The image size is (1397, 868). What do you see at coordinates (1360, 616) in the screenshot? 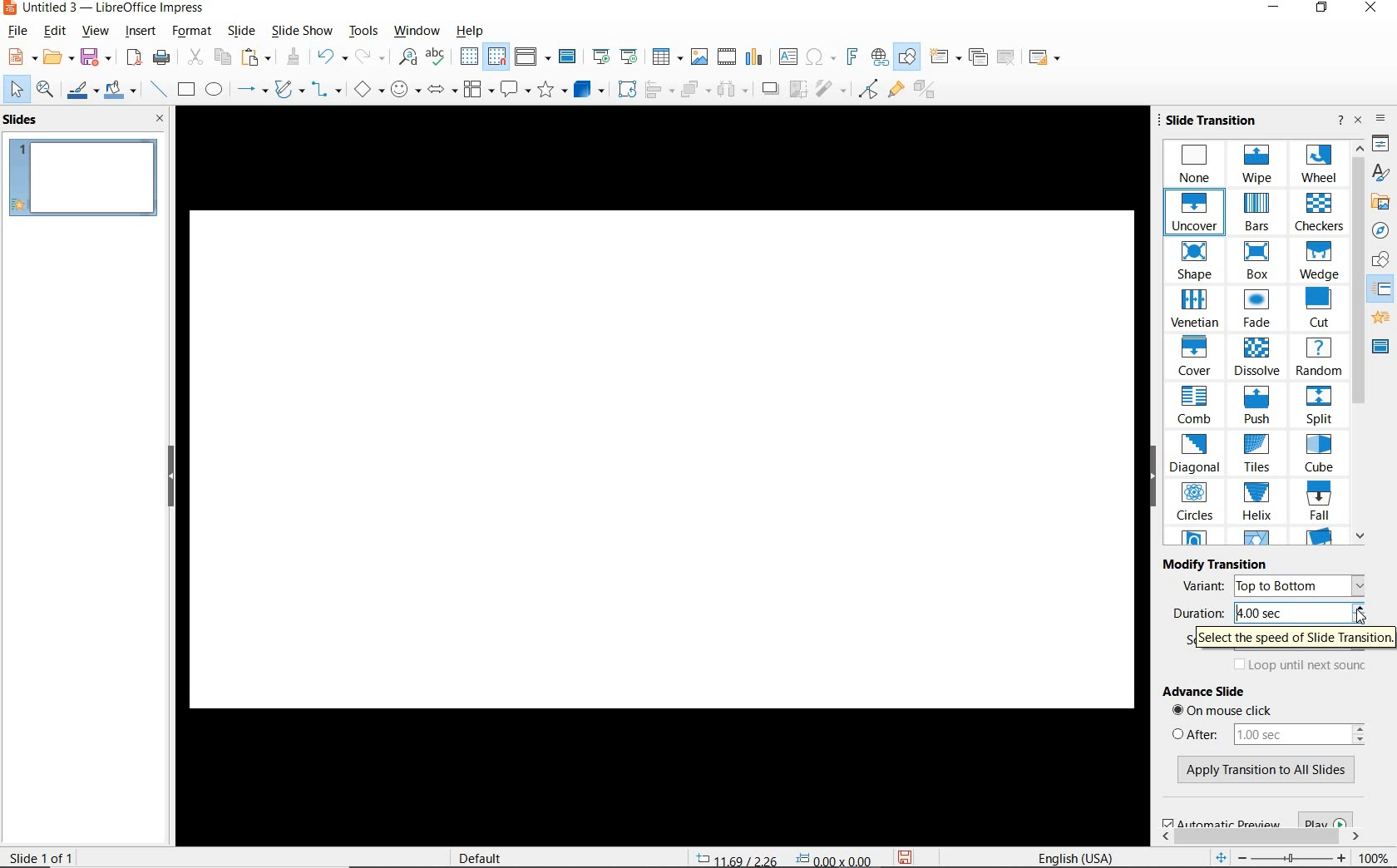
I see `cursor` at bounding box center [1360, 616].